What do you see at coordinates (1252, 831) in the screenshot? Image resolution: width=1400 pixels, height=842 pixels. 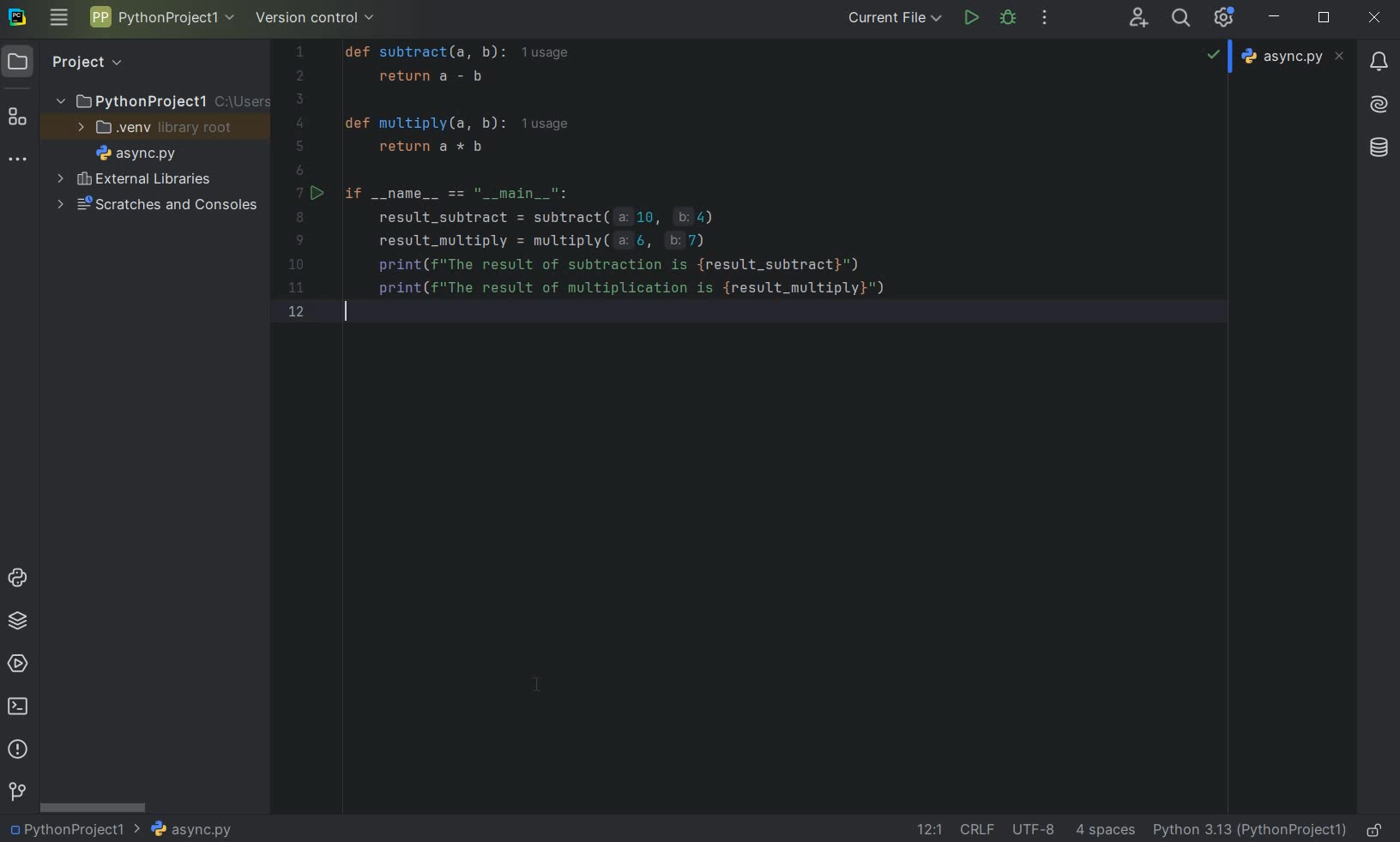 I see `current interpreter` at bounding box center [1252, 831].